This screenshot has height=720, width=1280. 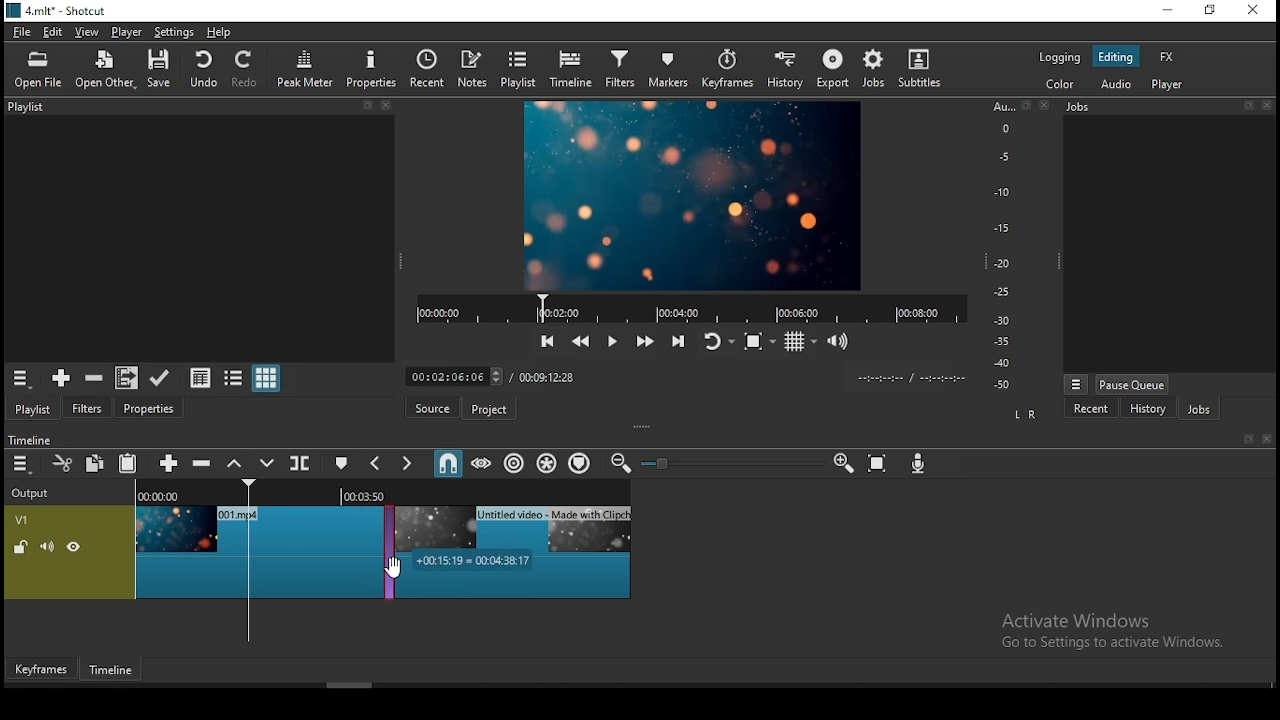 What do you see at coordinates (409, 464) in the screenshot?
I see `next marker` at bounding box center [409, 464].